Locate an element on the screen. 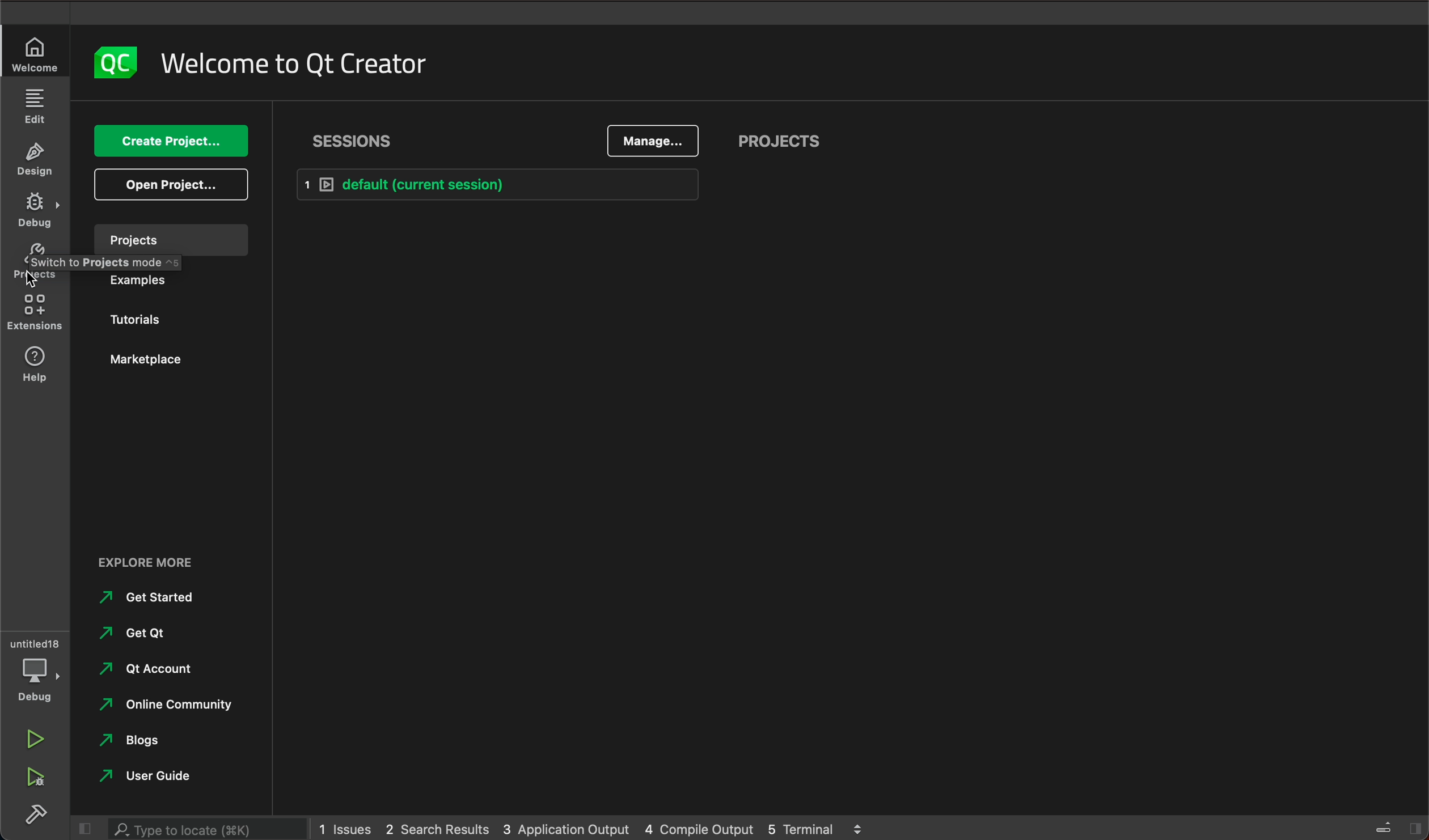 The height and width of the screenshot is (840, 1429). logo is located at coordinates (120, 62).